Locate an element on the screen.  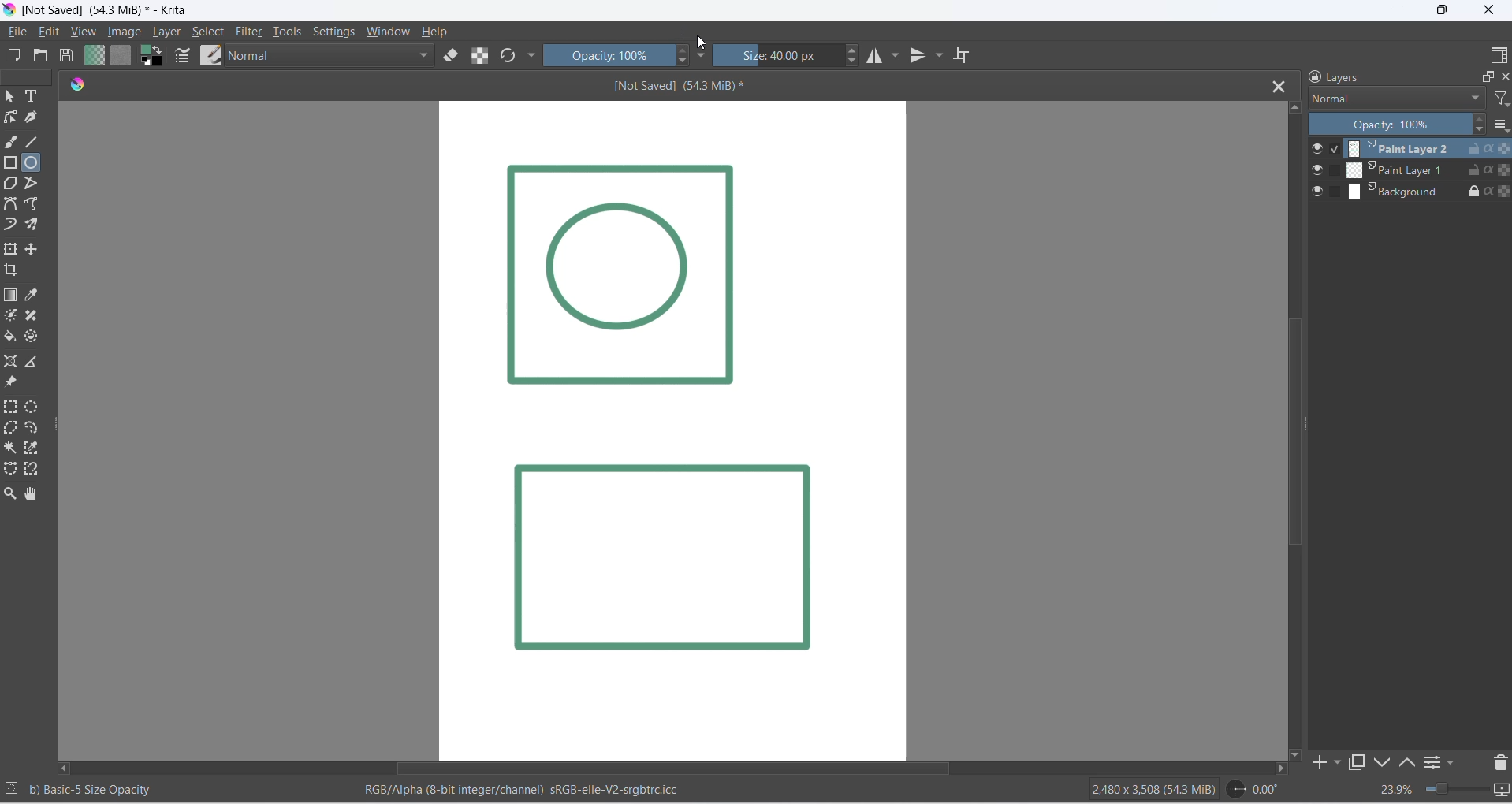
visibilty is located at coordinates (1316, 171).